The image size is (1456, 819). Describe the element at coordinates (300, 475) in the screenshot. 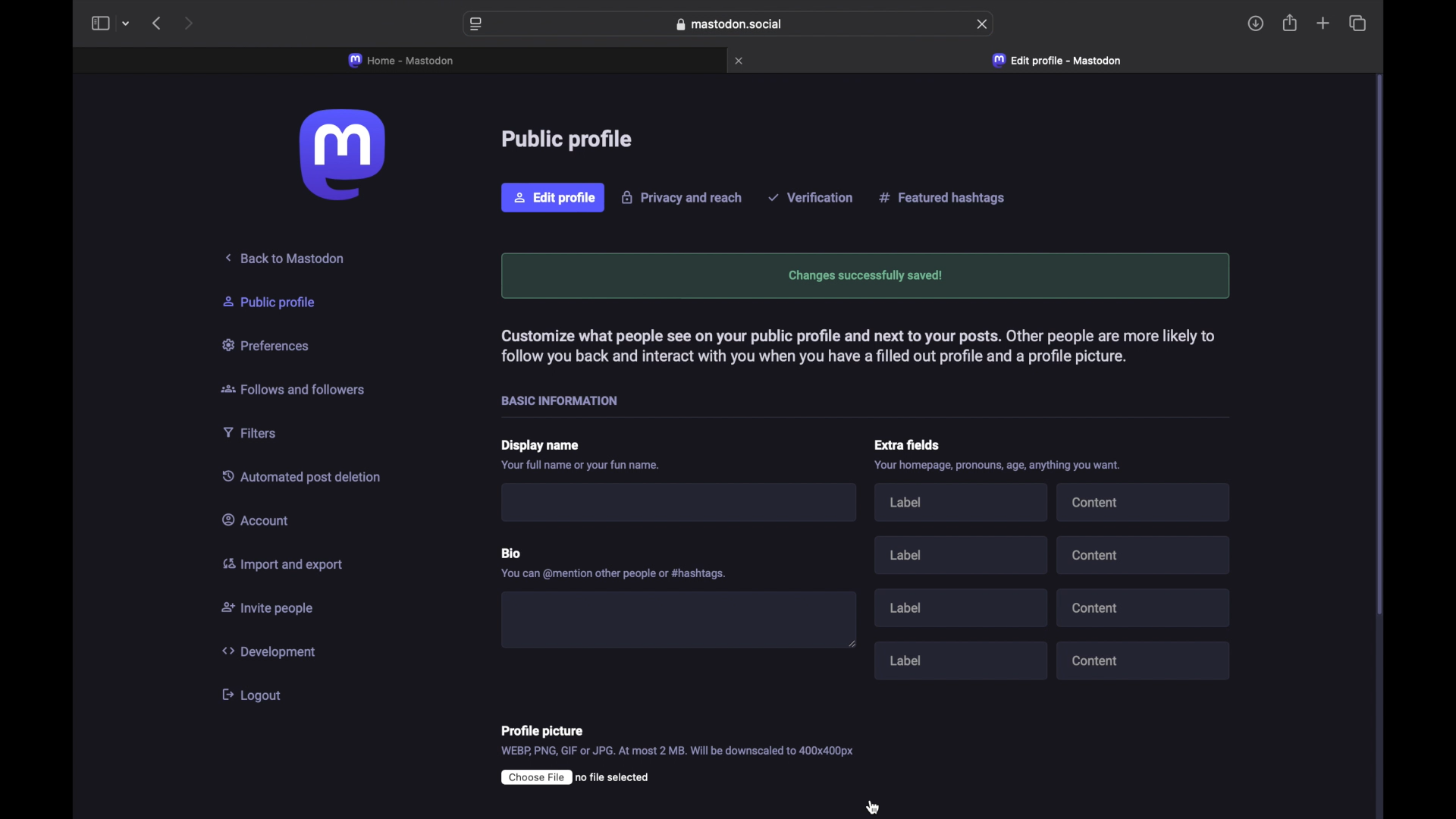

I see `\utomated post deletion` at that location.